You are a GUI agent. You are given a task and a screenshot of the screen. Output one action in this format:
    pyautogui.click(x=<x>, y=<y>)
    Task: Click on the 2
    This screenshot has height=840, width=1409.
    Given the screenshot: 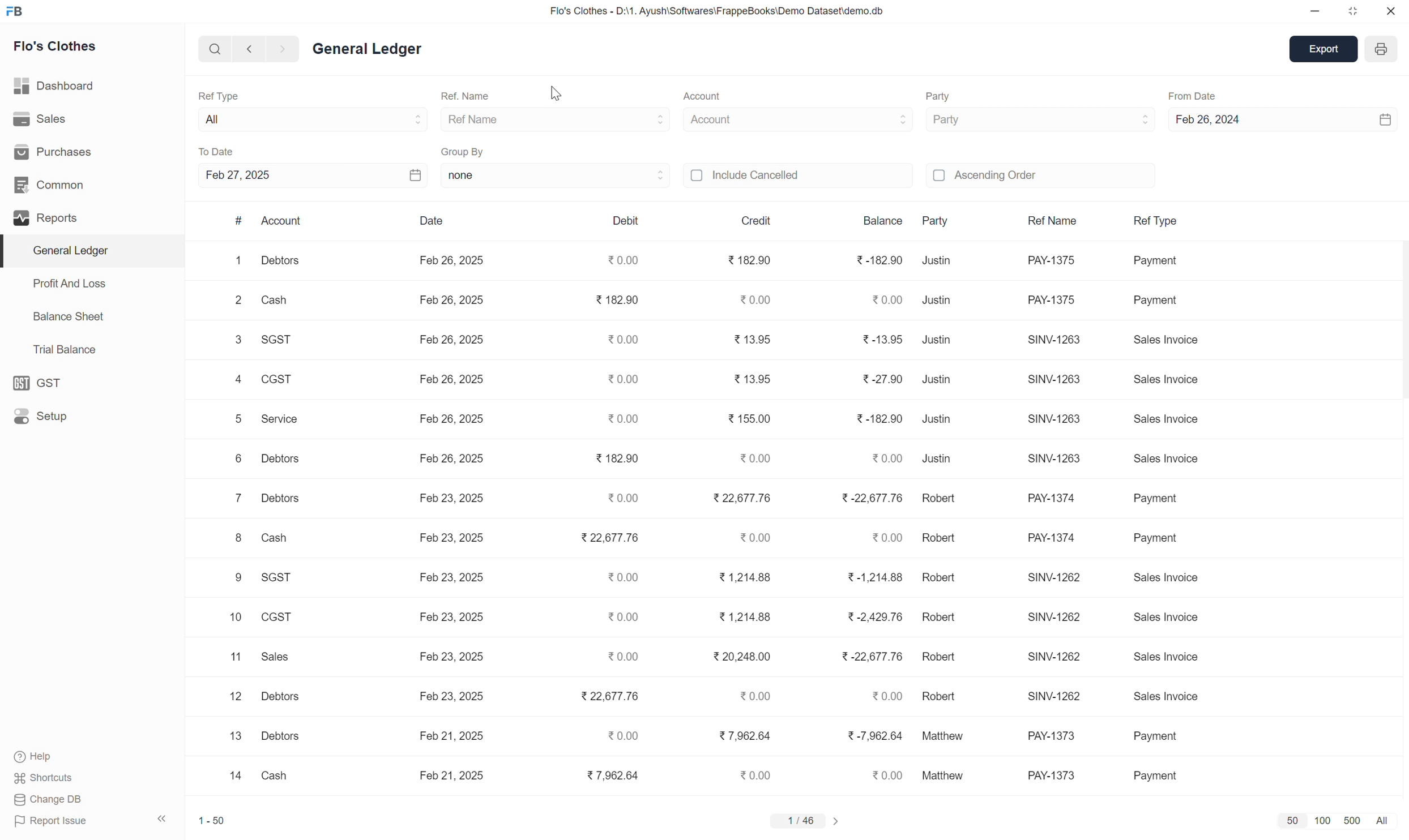 What is the action you would take?
    pyautogui.click(x=237, y=300)
    